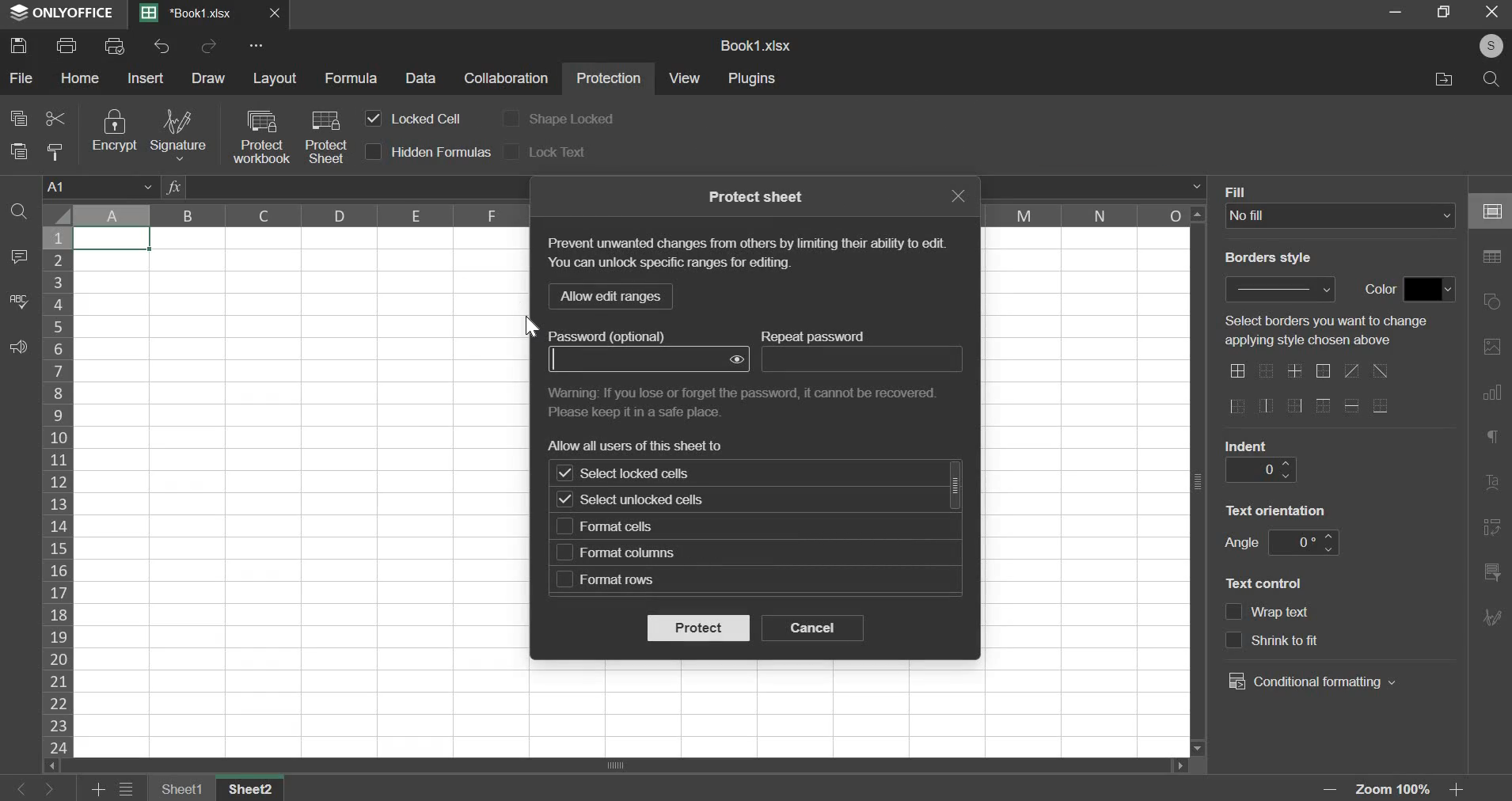 This screenshot has height=801, width=1512. I want to click on border options, so click(1237, 370).